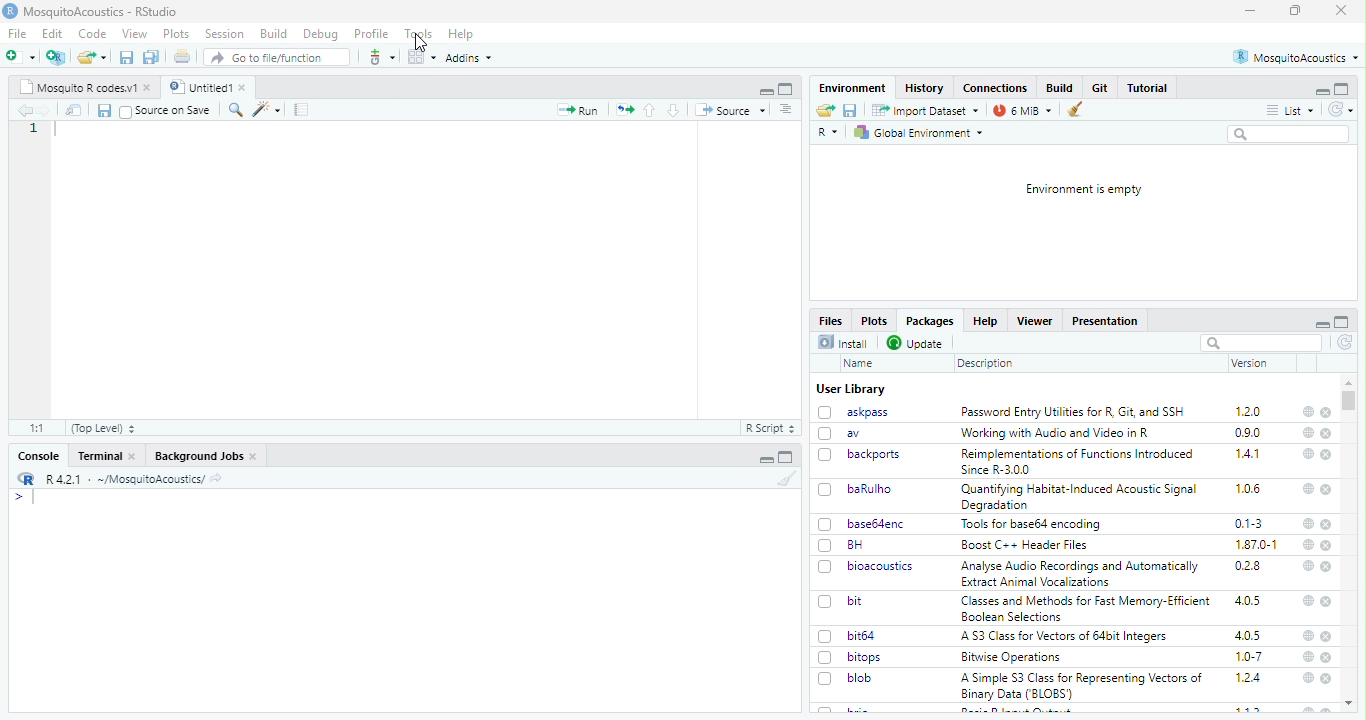  Describe the element at coordinates (1085, 608) in the screenshot. I see `Classes and Methods for Fast Memory-Efficient
[rrr —` at that location.